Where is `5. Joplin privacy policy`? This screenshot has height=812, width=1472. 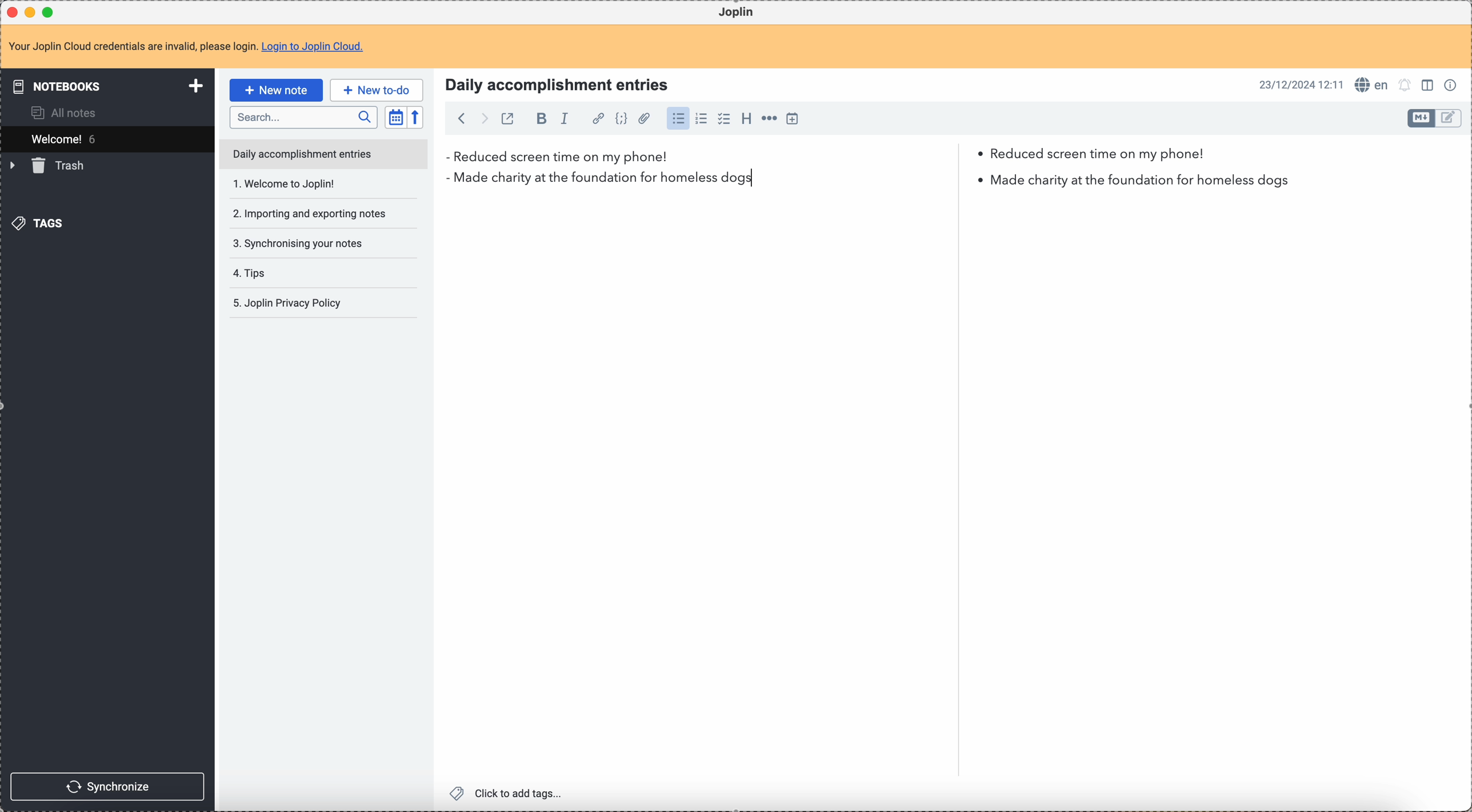
5. Joplin privacy policy is located at coordinates (289, 304).